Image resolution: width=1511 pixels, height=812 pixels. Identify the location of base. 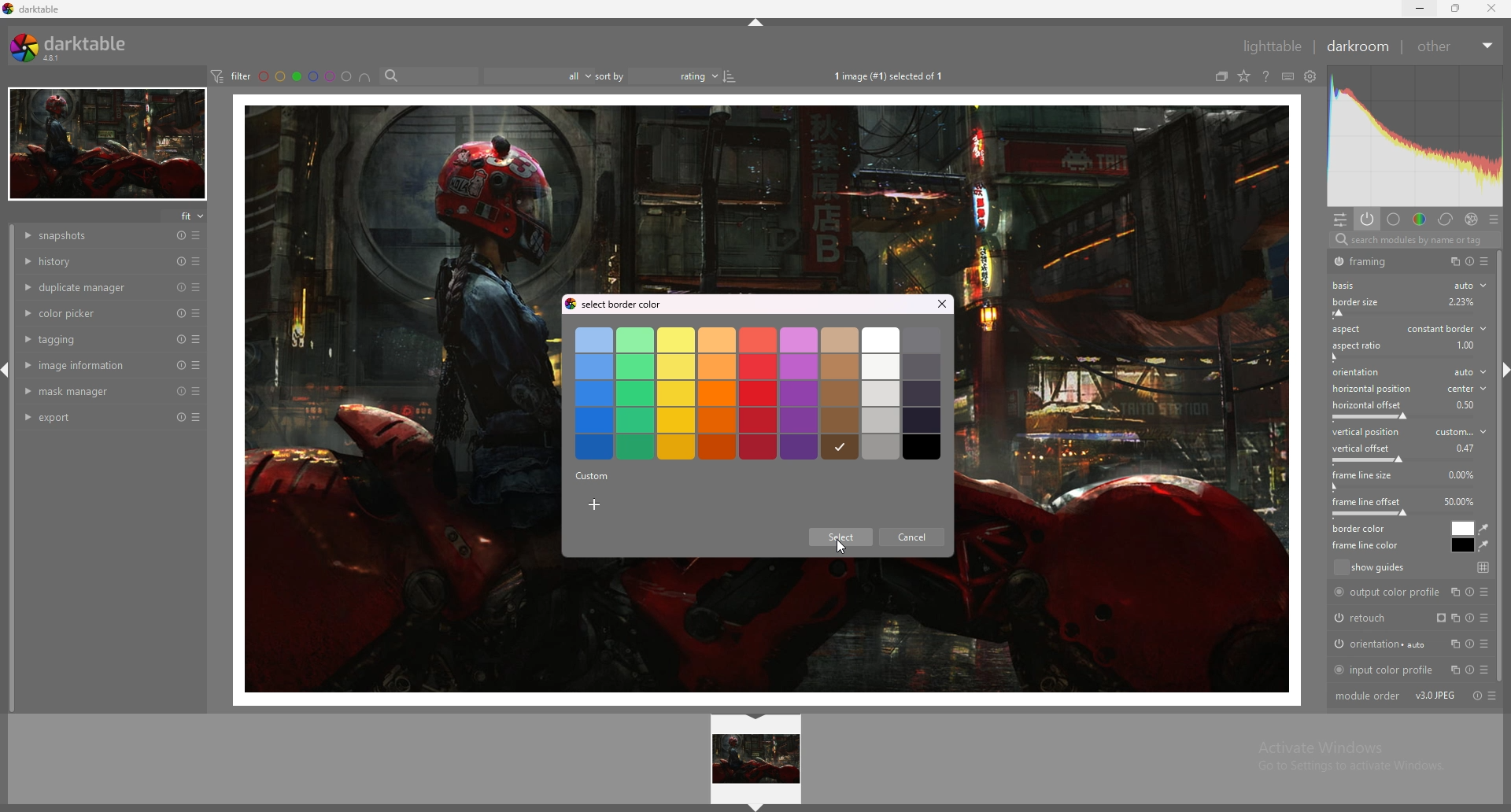
(1393, 219).